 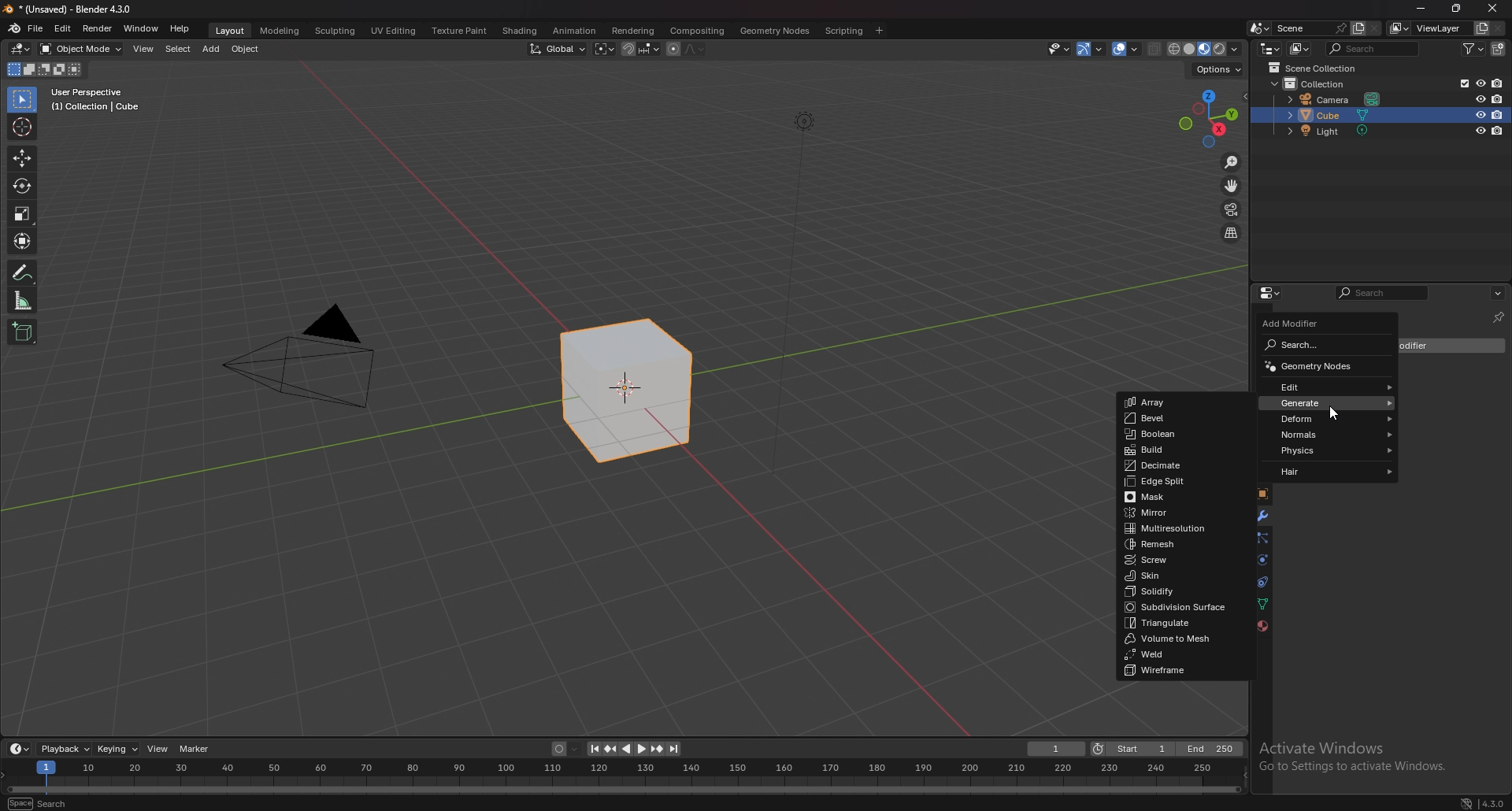 What do you see at coordinates (1184, 528) in the screenshot?
I see `multi resolution` at bounding box center [1184, 528].